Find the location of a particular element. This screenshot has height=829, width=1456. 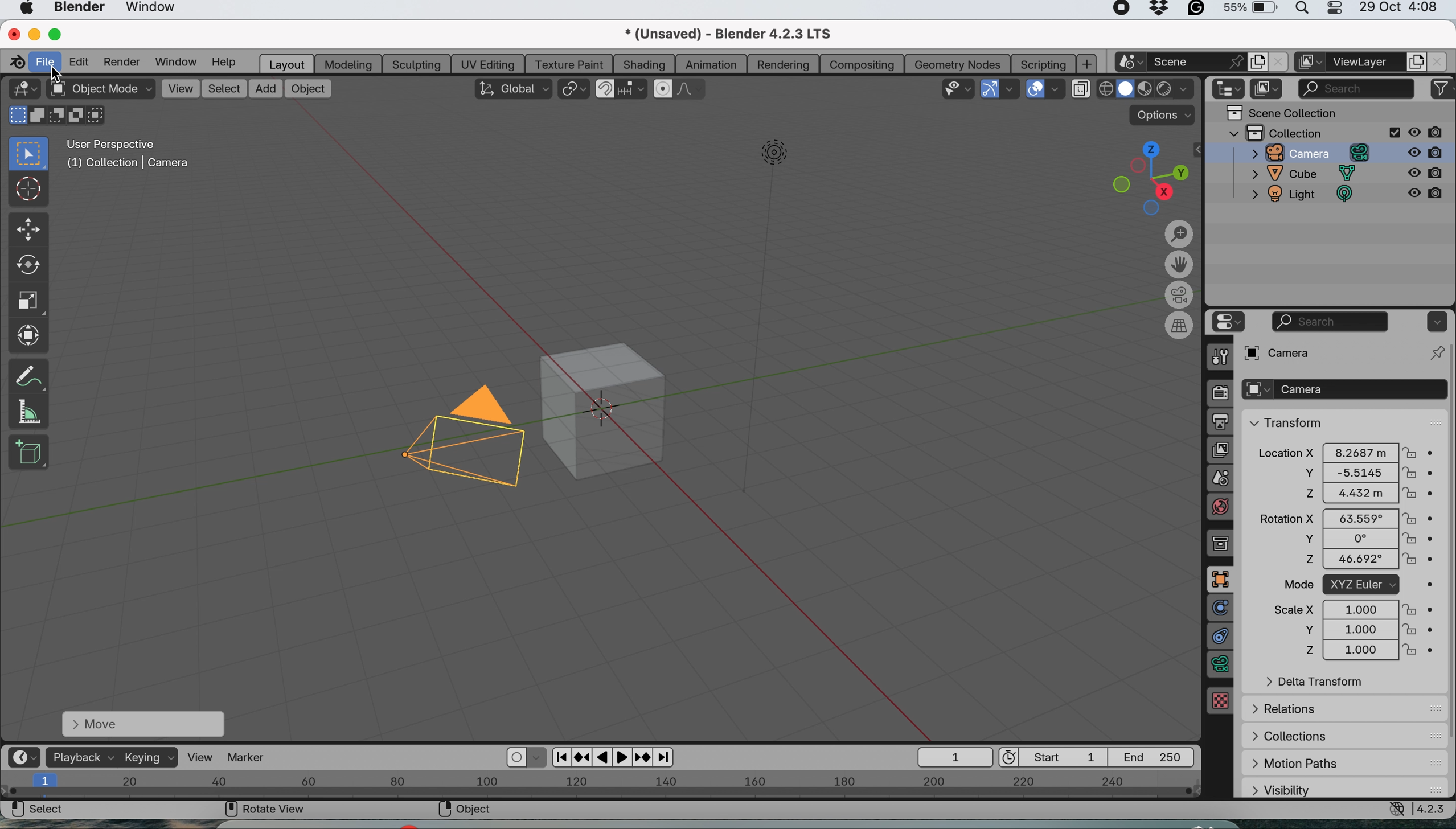

layout is located at coordinates (287, 63).